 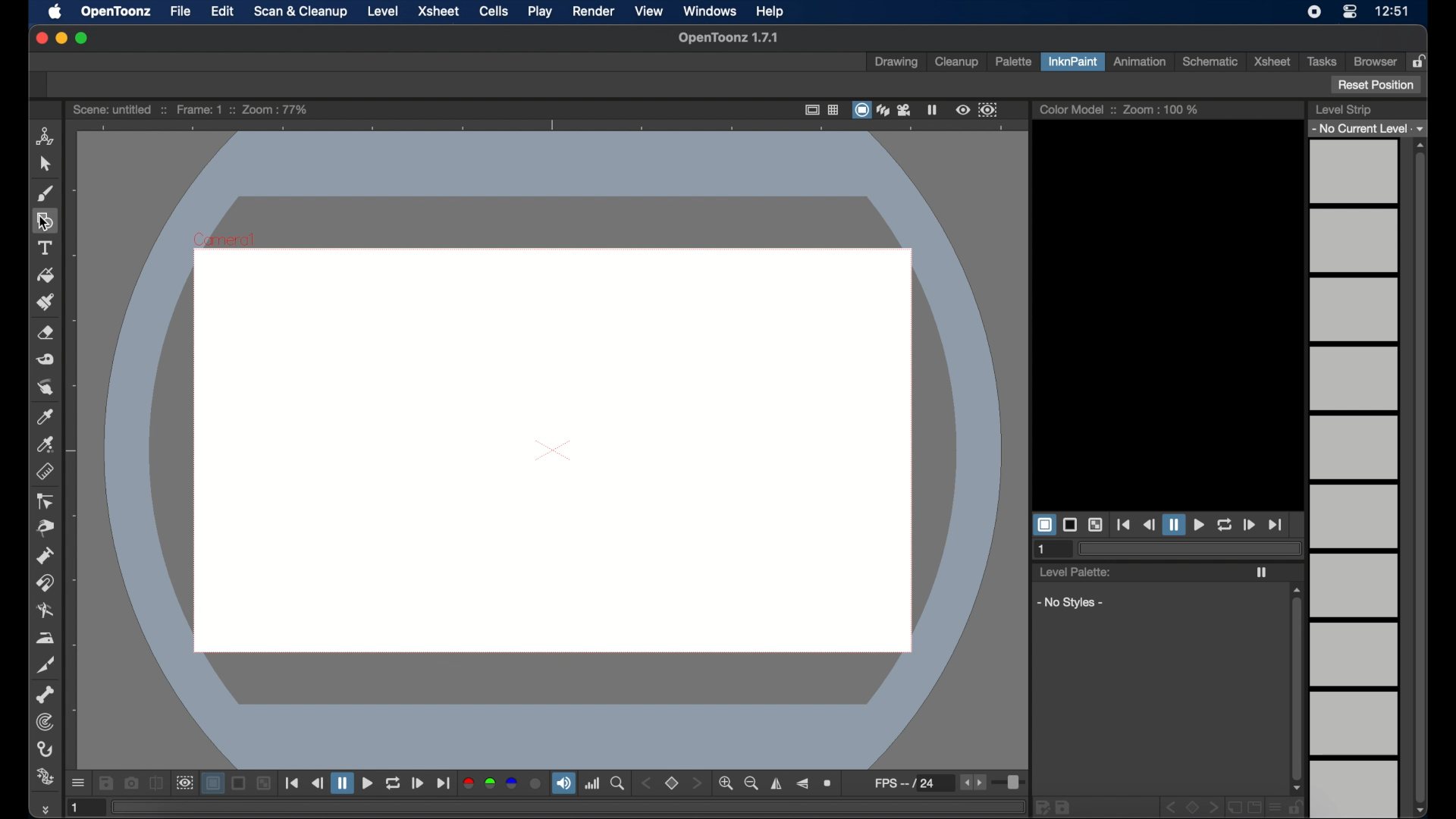 What do you see at coordinates (1095, 526) in the screenshot?
I see `checkered background` at bounding box center [1095, 526].